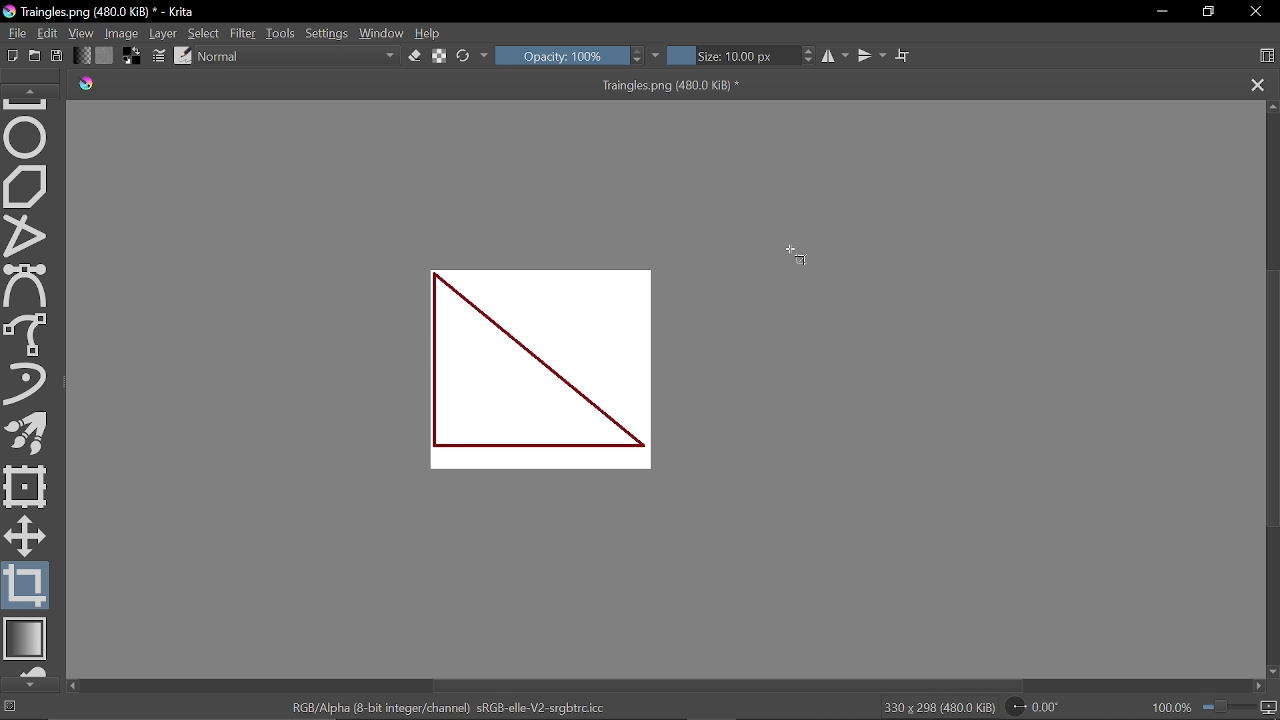 This screenshot has height=720, width=1280. What do you see at coordinates (448, 707) in the screenshot?
I see `"RGB/Alpha (8-bit integer/channel) sRGB-elle-V2-srgbtrc.icc` at bounding box center [448, 707].